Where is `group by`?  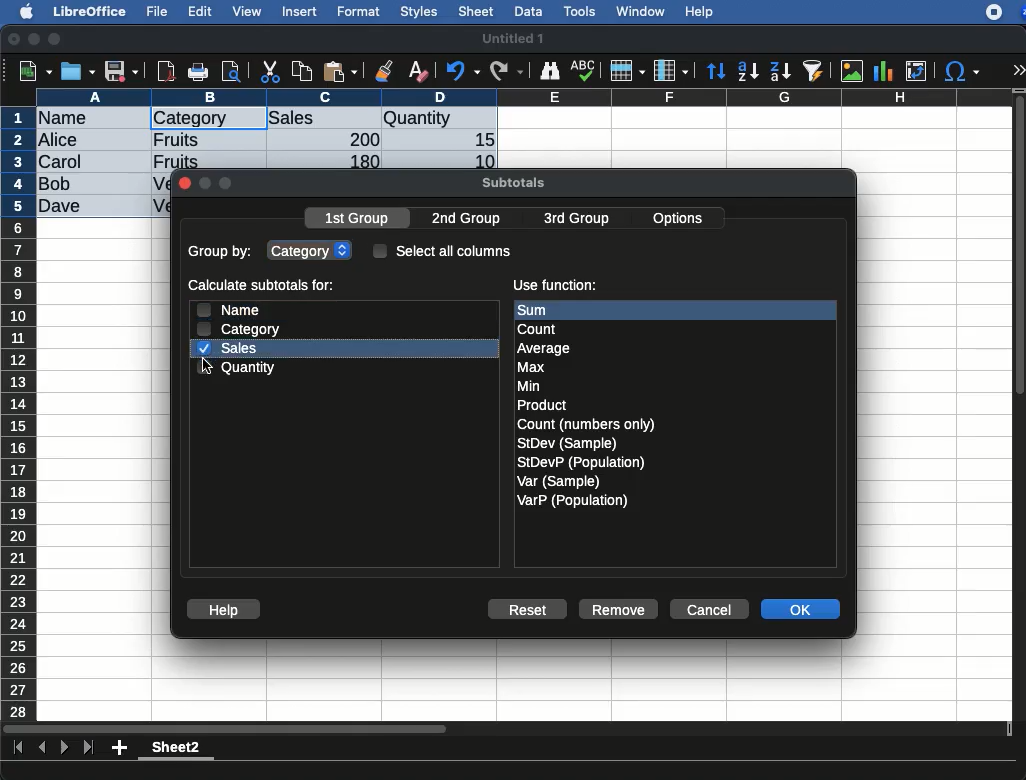 group by is located at coordinates (222, 253).